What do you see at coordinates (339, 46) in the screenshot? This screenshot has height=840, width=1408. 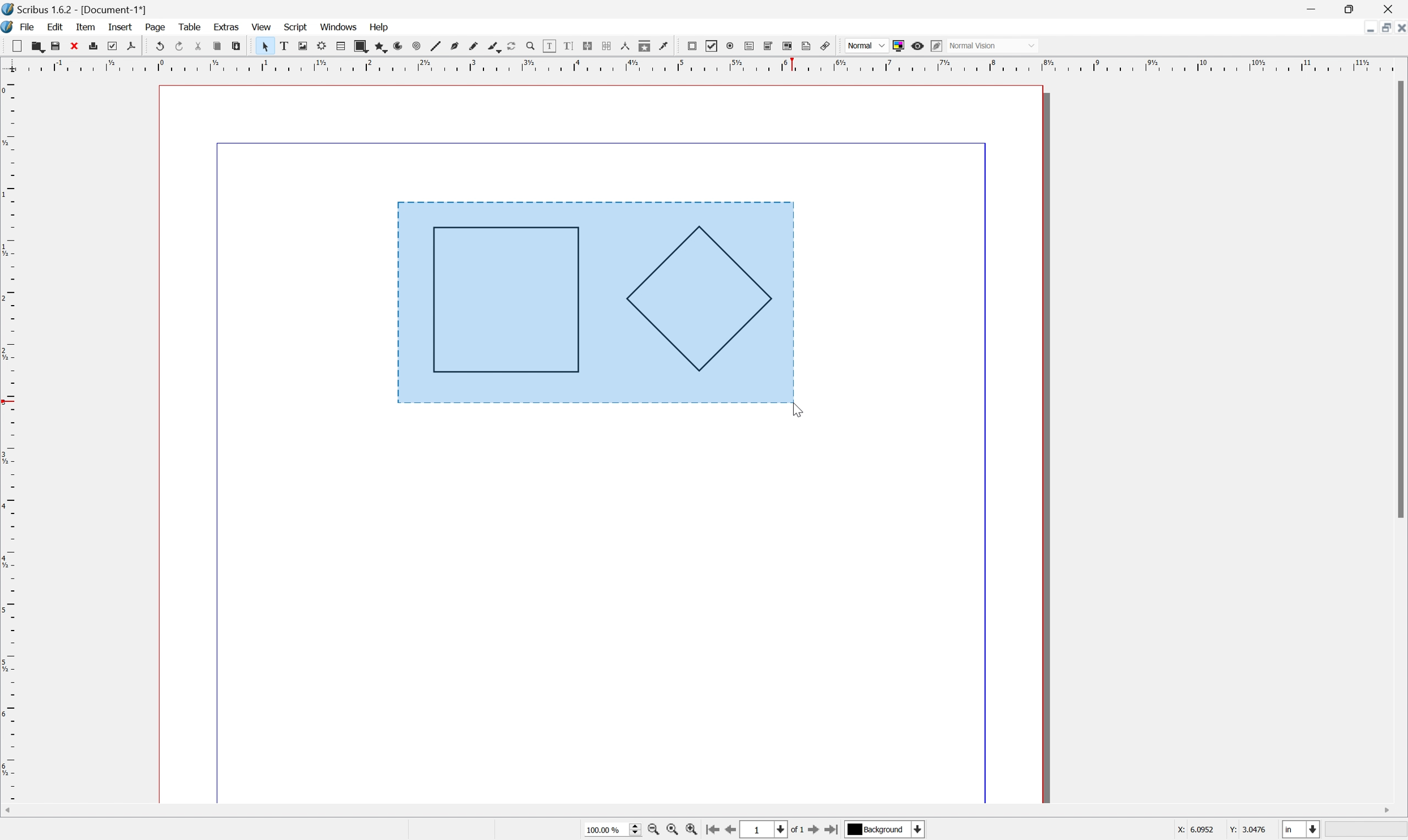 I see `table` at bounding box center [339, 46].